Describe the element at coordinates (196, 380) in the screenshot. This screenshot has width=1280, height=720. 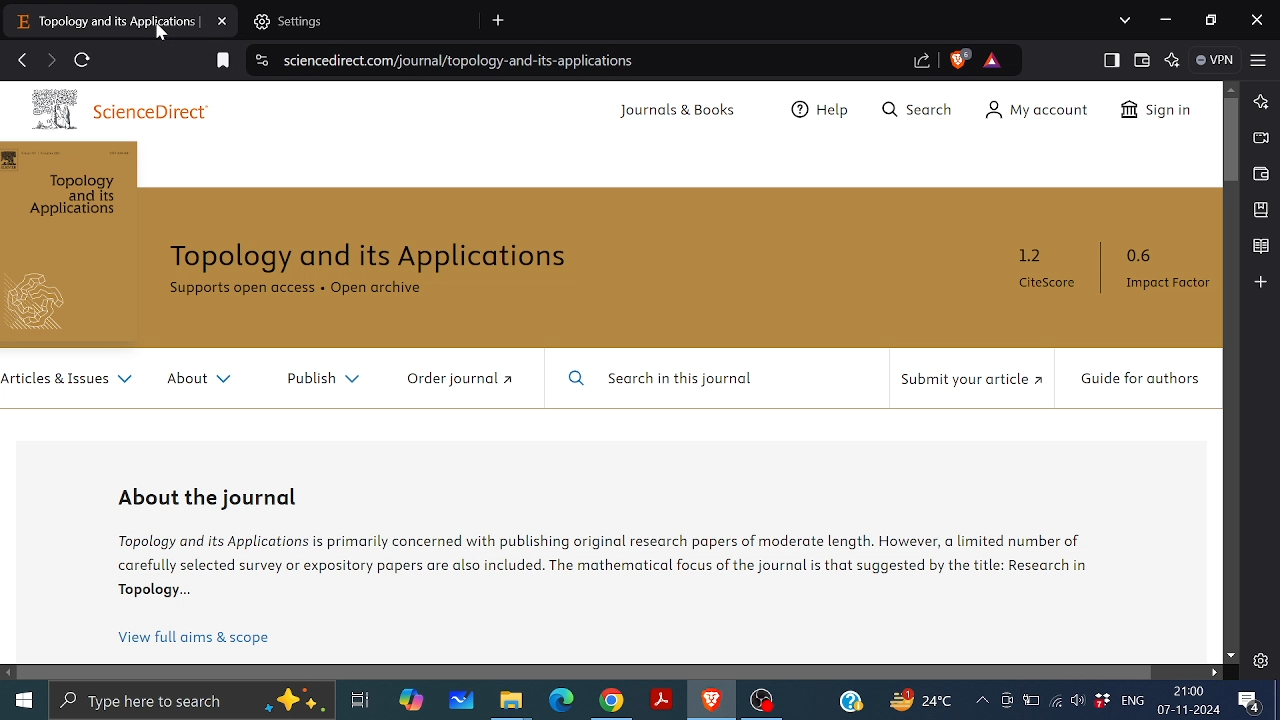
I see `About ` at that location.